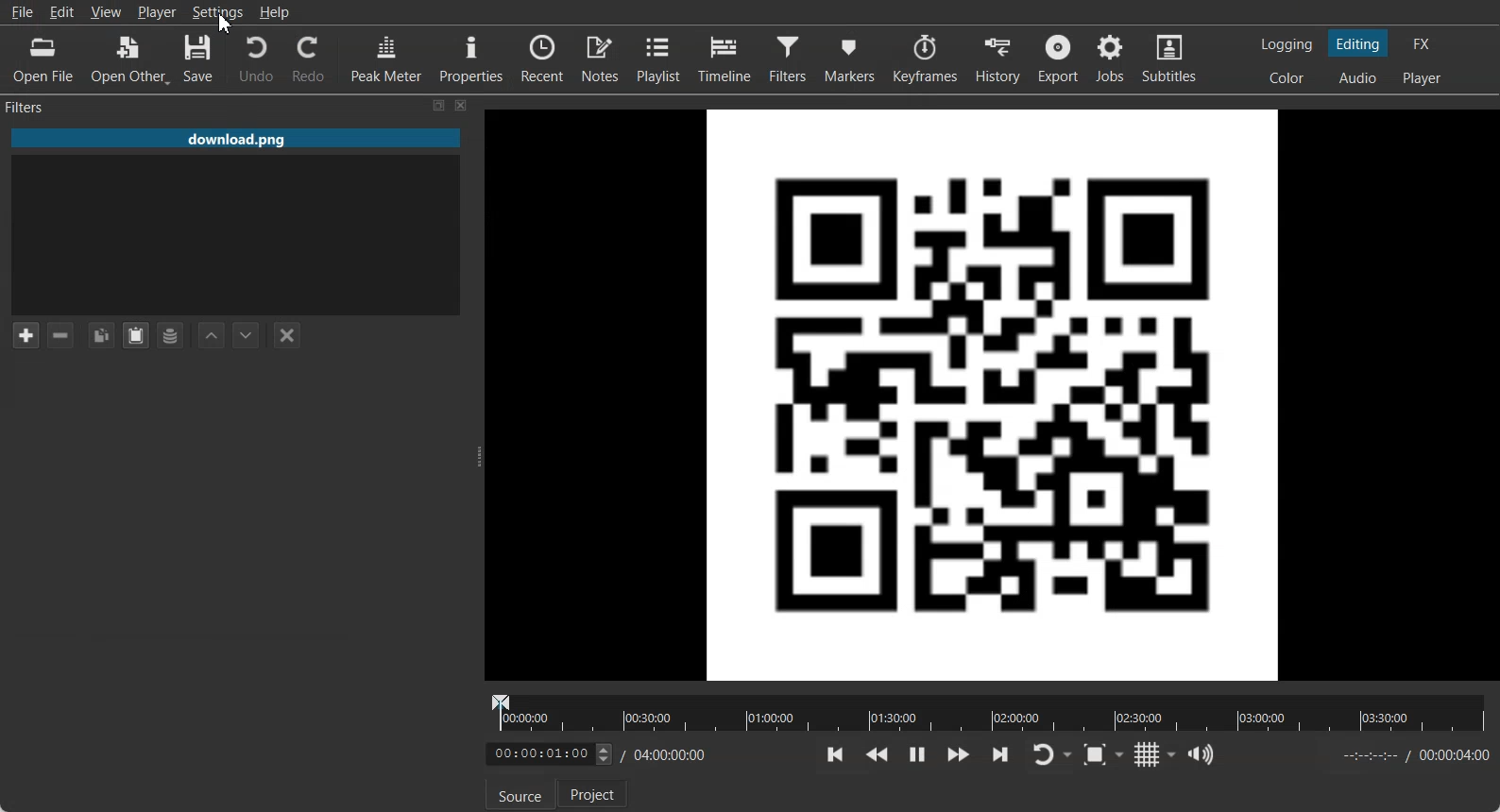 This screenshot has width=1500, height=812. I want to click on Cursor, so click(229, 24).